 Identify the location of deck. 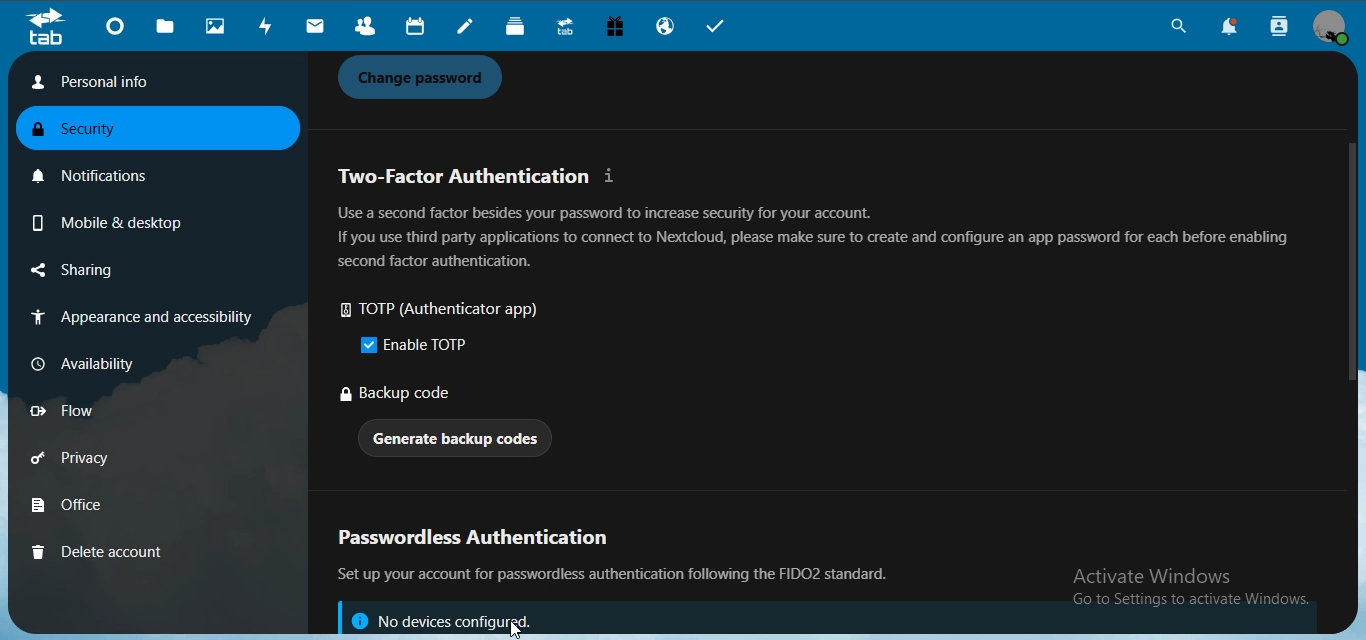
(520, 28).